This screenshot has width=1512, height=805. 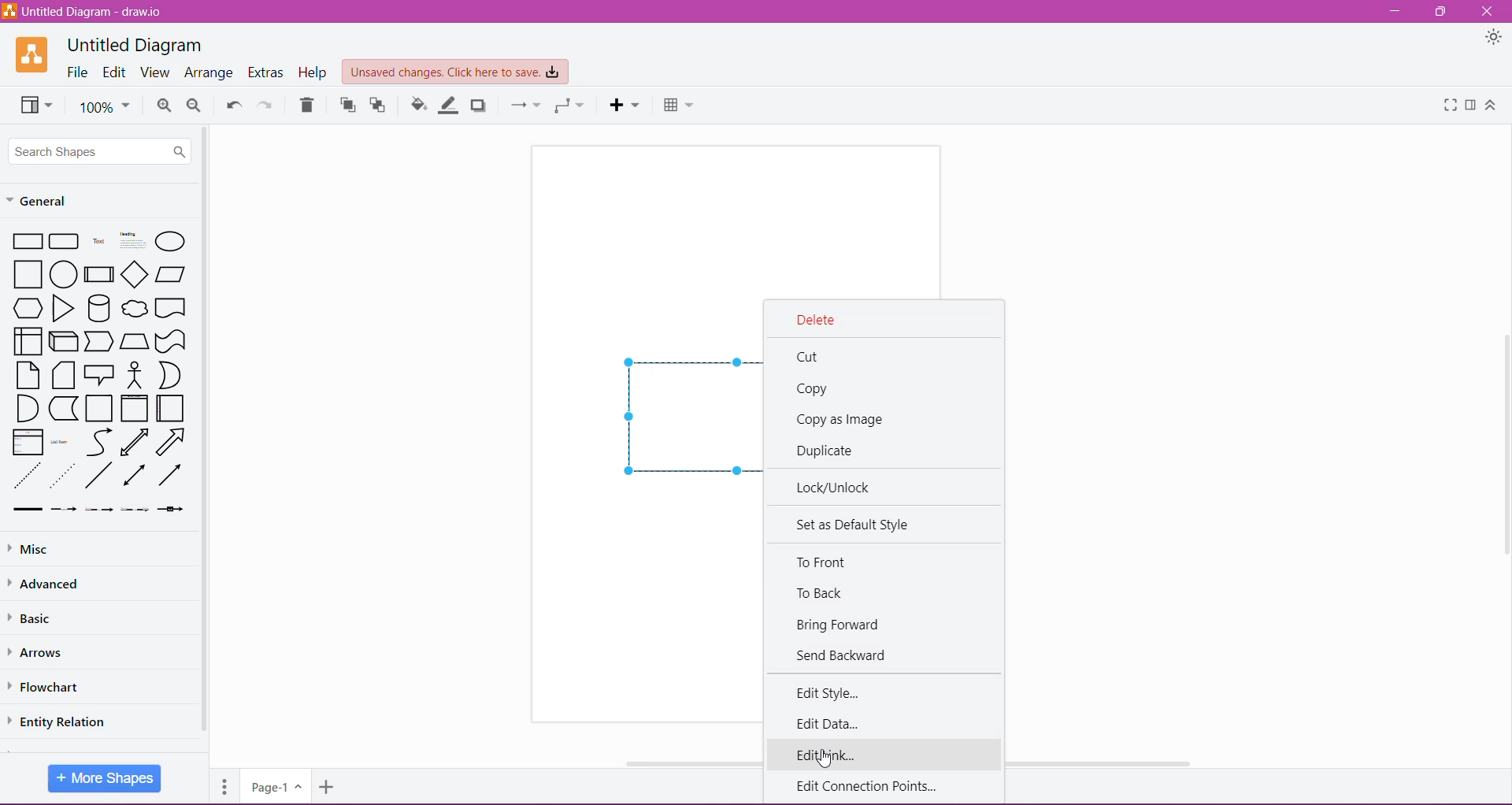 I want to click on To Back, so click(x=822, y=593).